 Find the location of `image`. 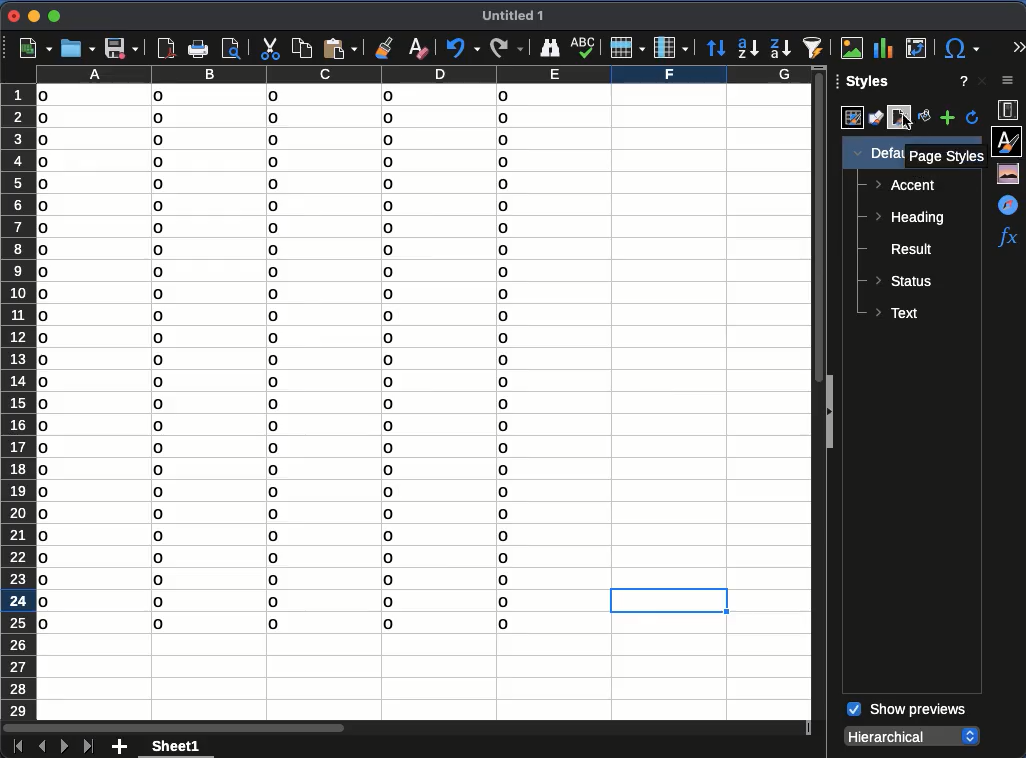

image is located at coordinates (852, 47).